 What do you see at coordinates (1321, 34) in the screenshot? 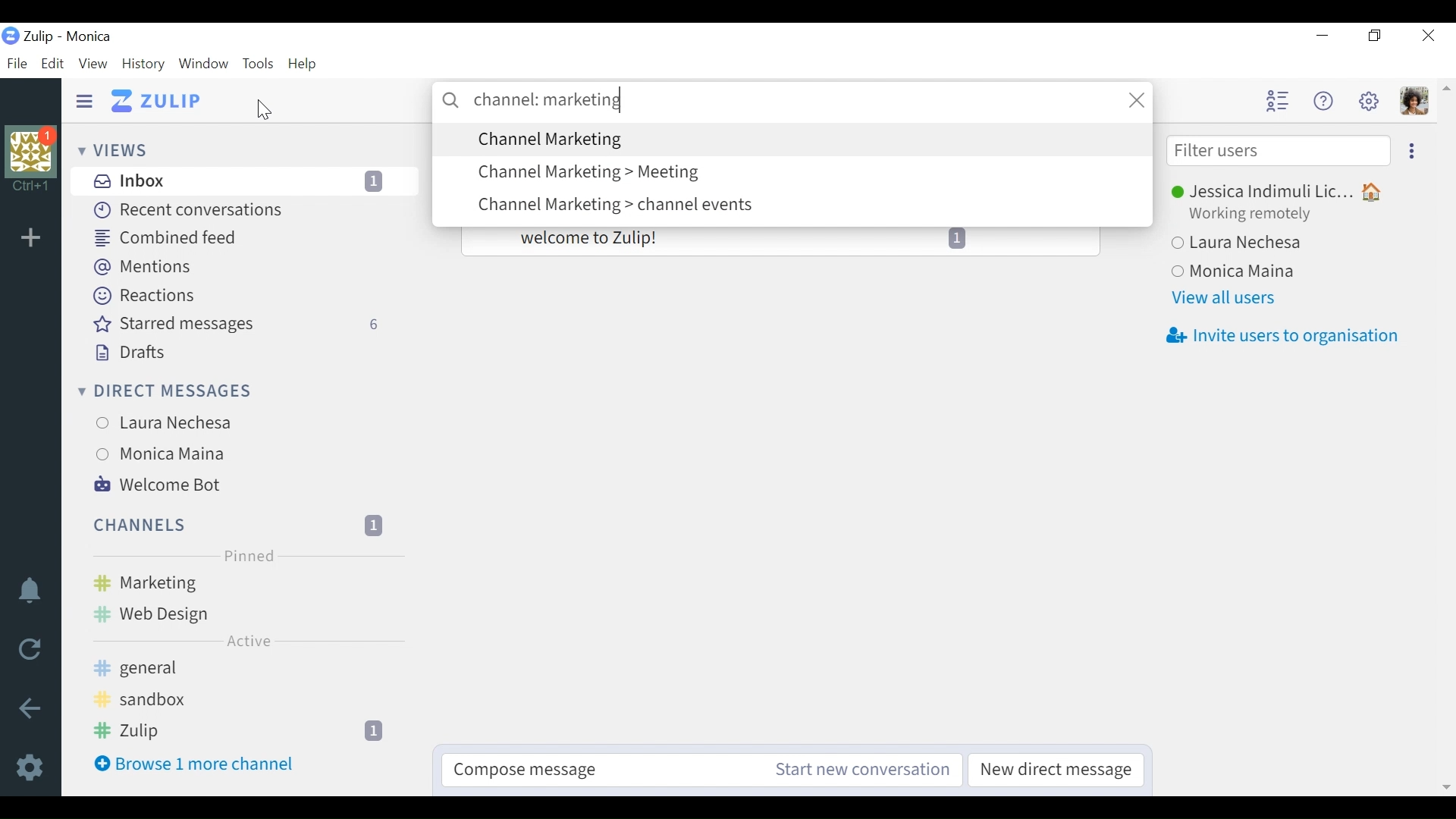
I see `minimize` at bounding box center [1321, 34].